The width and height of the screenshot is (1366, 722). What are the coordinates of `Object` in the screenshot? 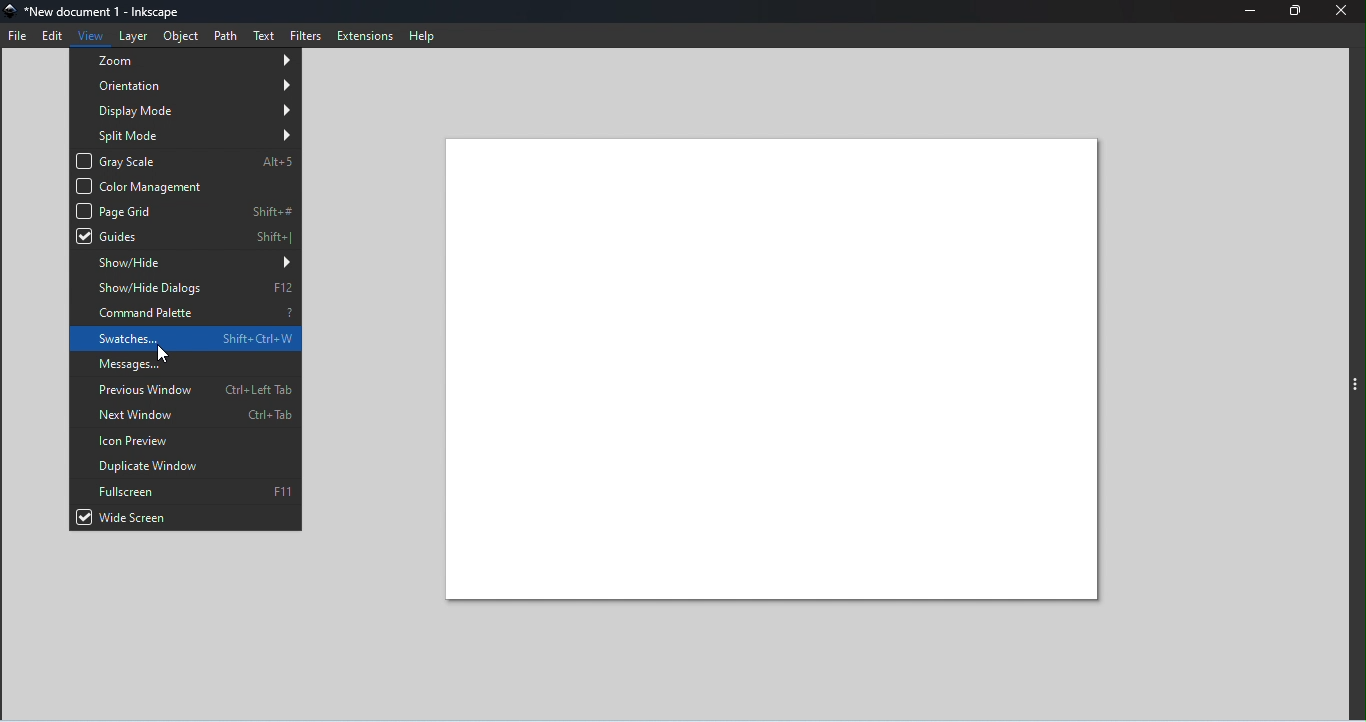 It's located at (187, 37).